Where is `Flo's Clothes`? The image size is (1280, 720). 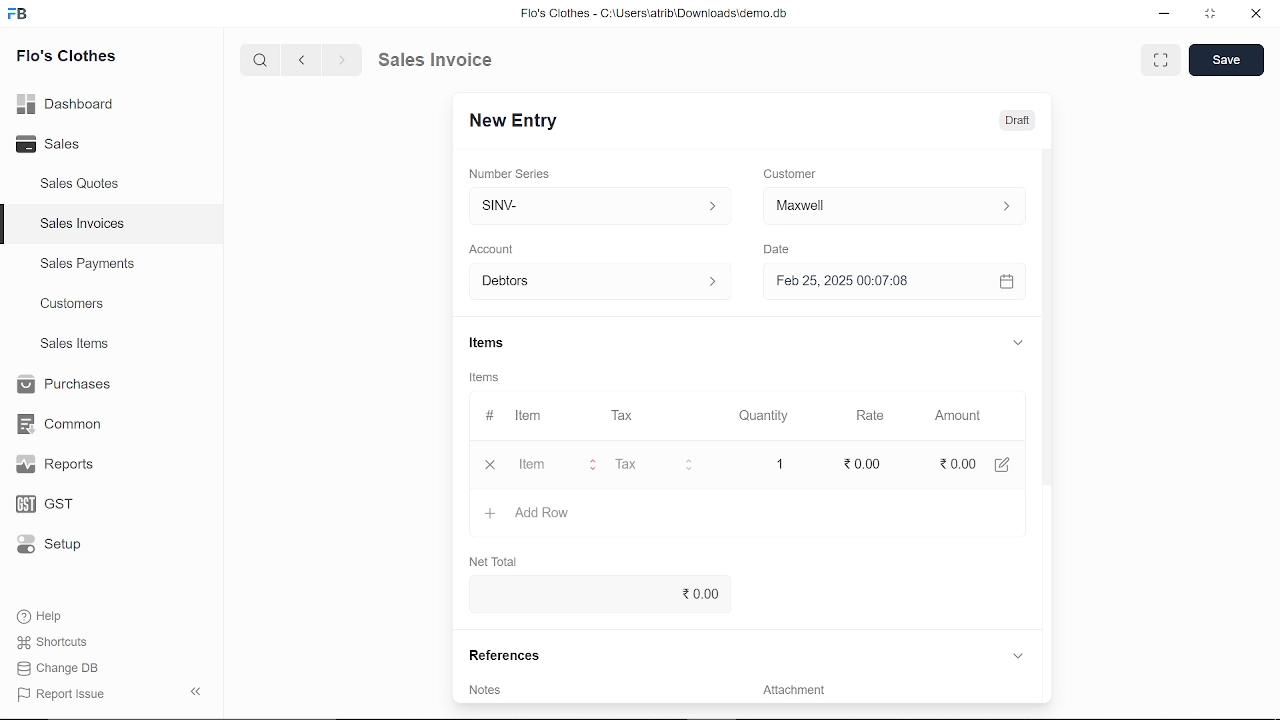 Flo's Clothes is located at coordinates (64, 59).